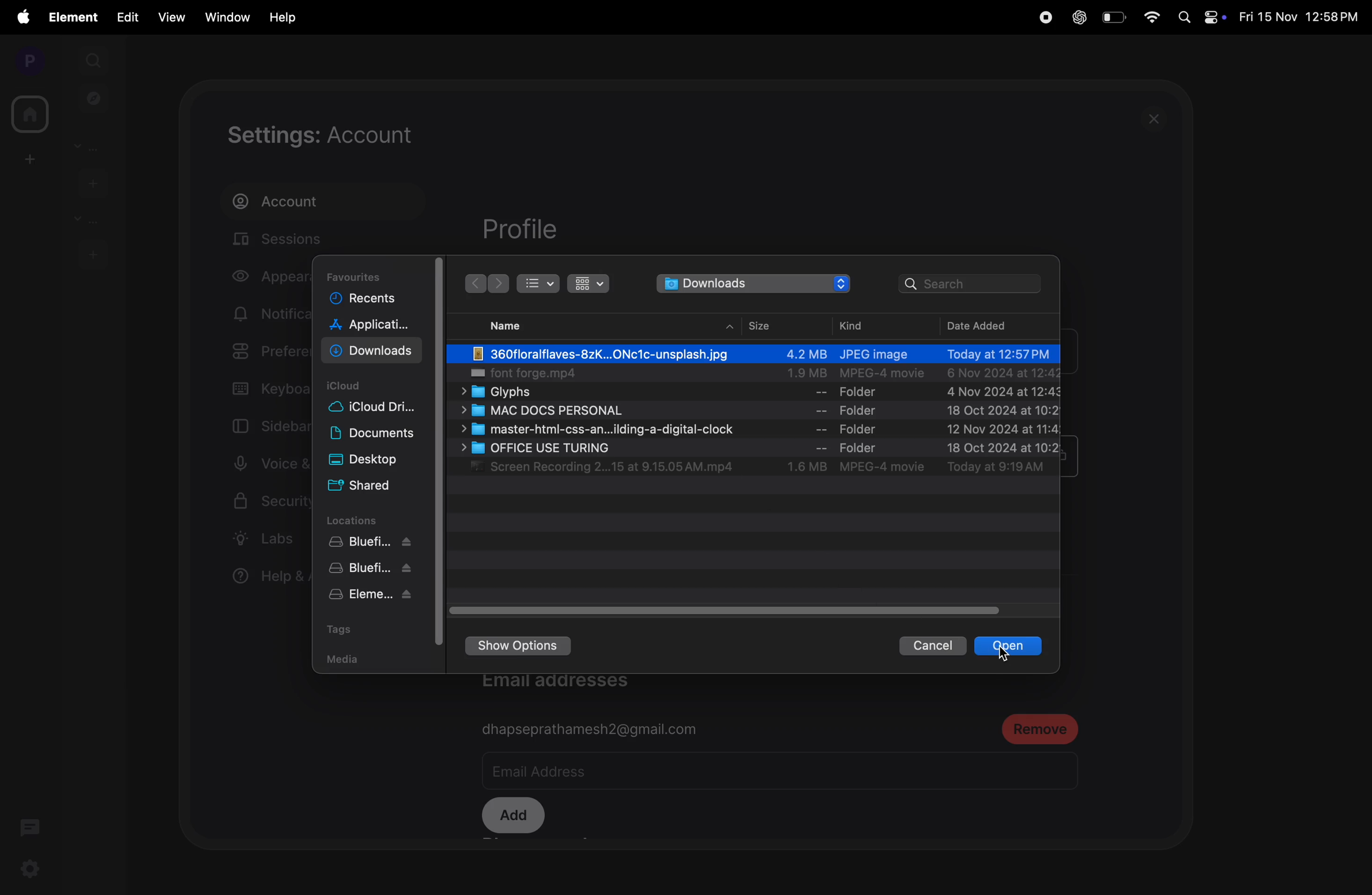 This screenshot has height=895, width=1372. What do you see at coordinates (367, 629) in the screenshot?
I see `tags` at bounding box center [367, 629].